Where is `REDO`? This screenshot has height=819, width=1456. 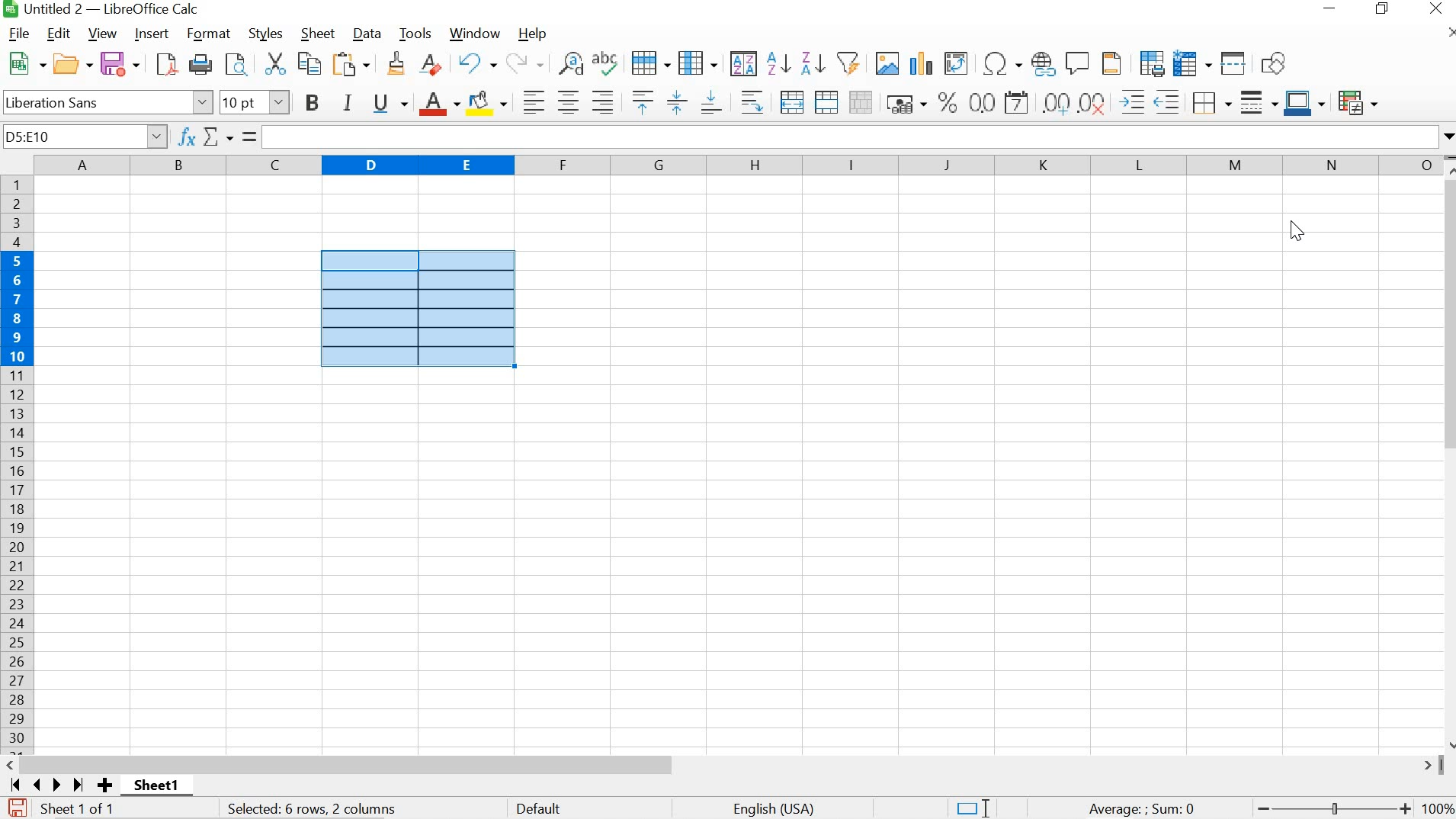
REDO is located at coordinates (525, 64).